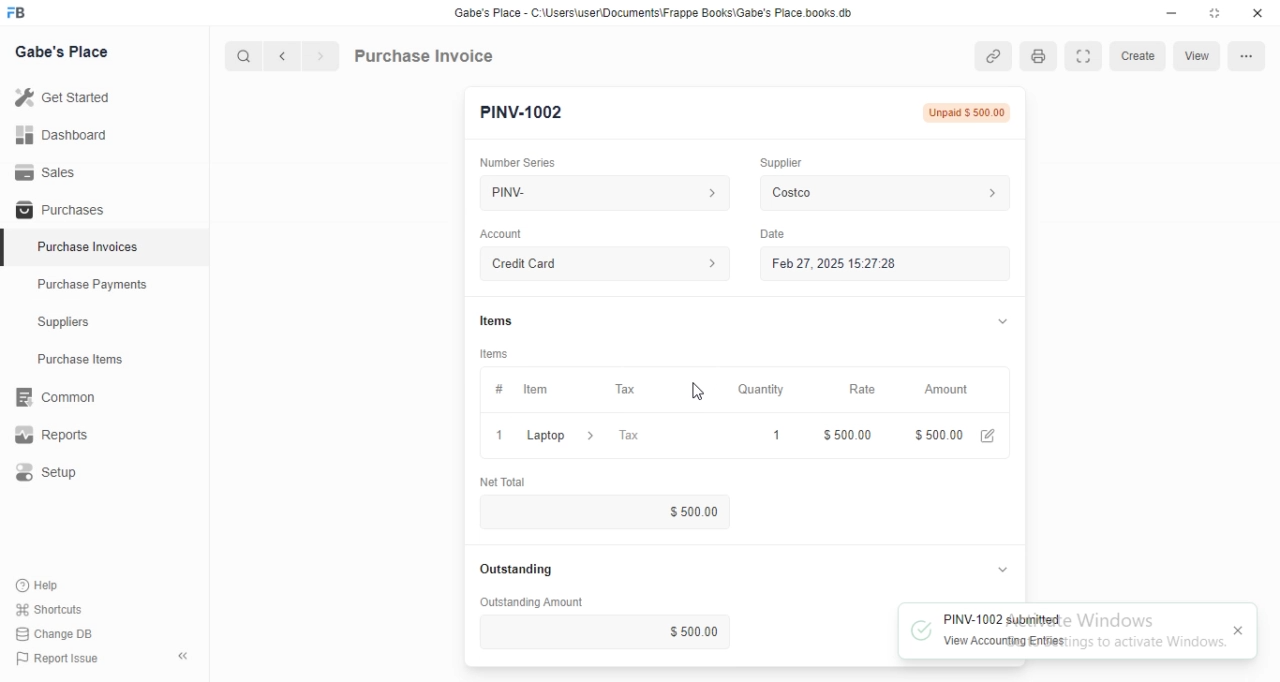 Image resolution: width=1280 pixels, height=682 pixels. What do you see at coordinates (15, 12) in the screenshot?
I see `Frappe Books logo` at bounding box center [15, 12].